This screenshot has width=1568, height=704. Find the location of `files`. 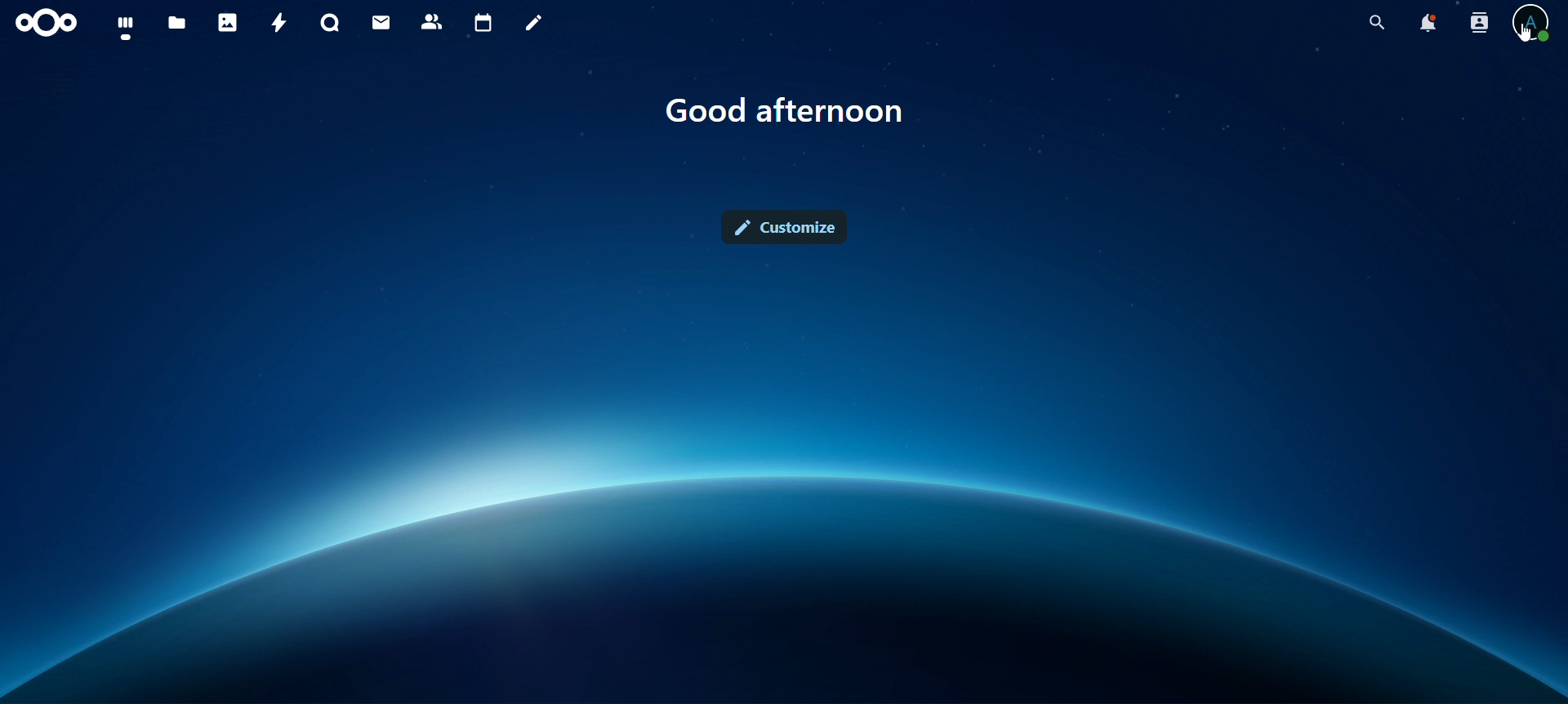

files is located at coordinates (176, 24).